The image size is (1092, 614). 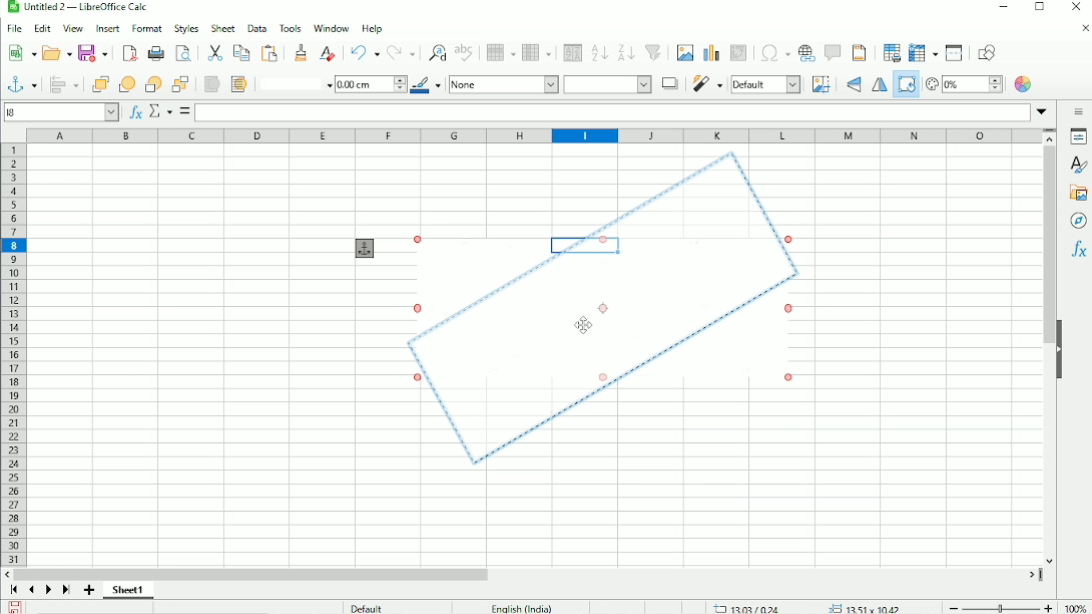 I want to click on Sidebar settings, so click(x=1076, y=111).